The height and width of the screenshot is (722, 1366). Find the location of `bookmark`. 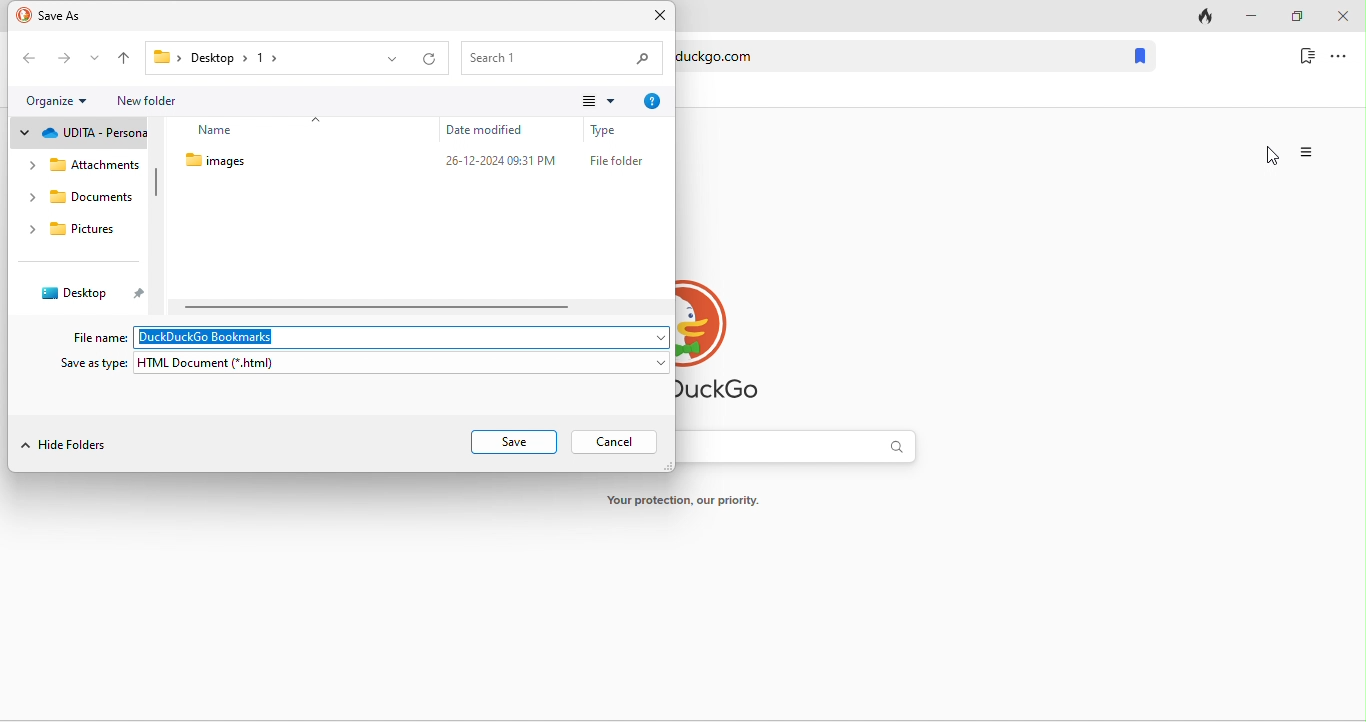

bookmark is located at coordinates (1139, 56).